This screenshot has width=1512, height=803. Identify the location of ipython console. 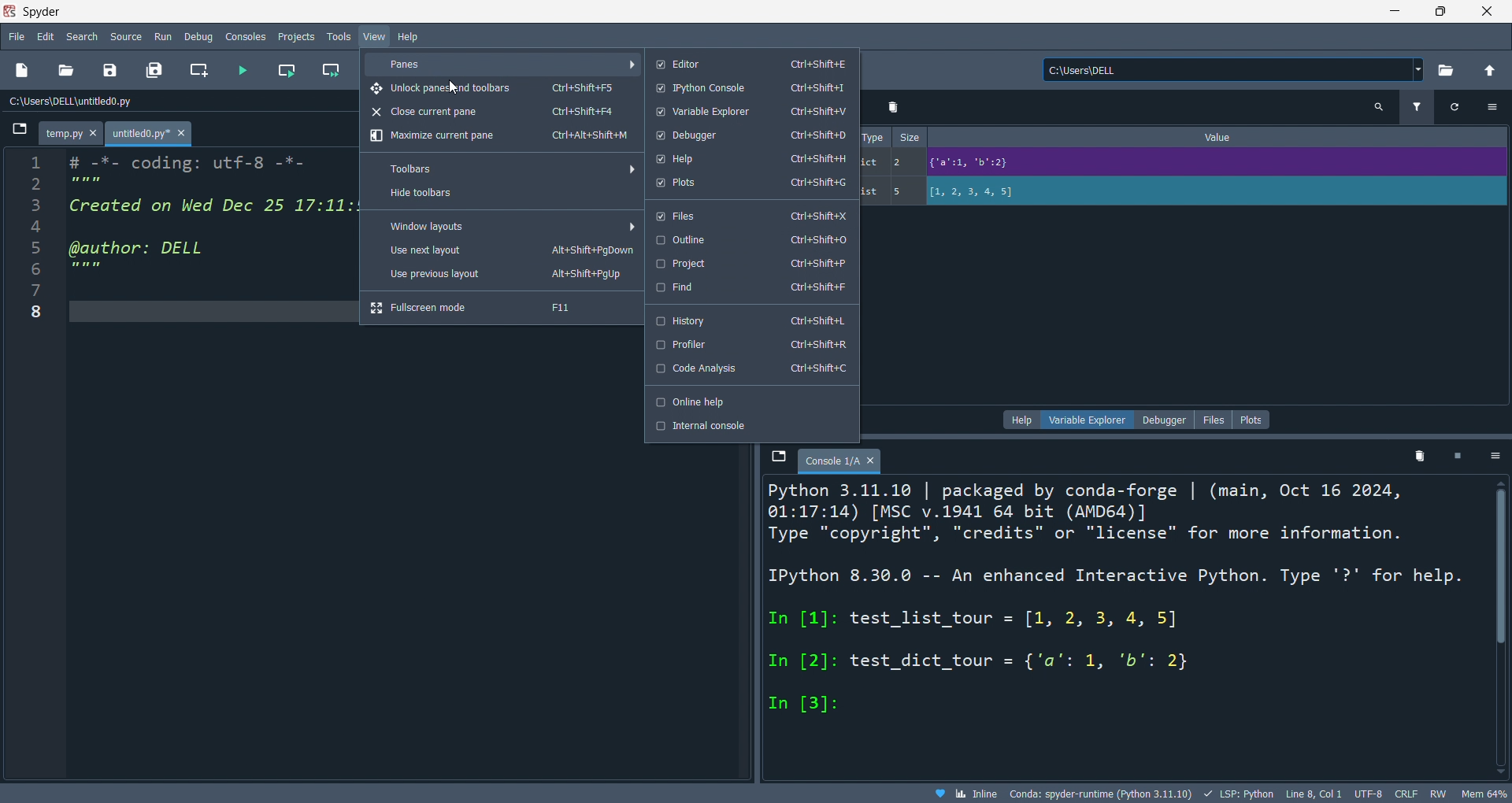
(750, 89).